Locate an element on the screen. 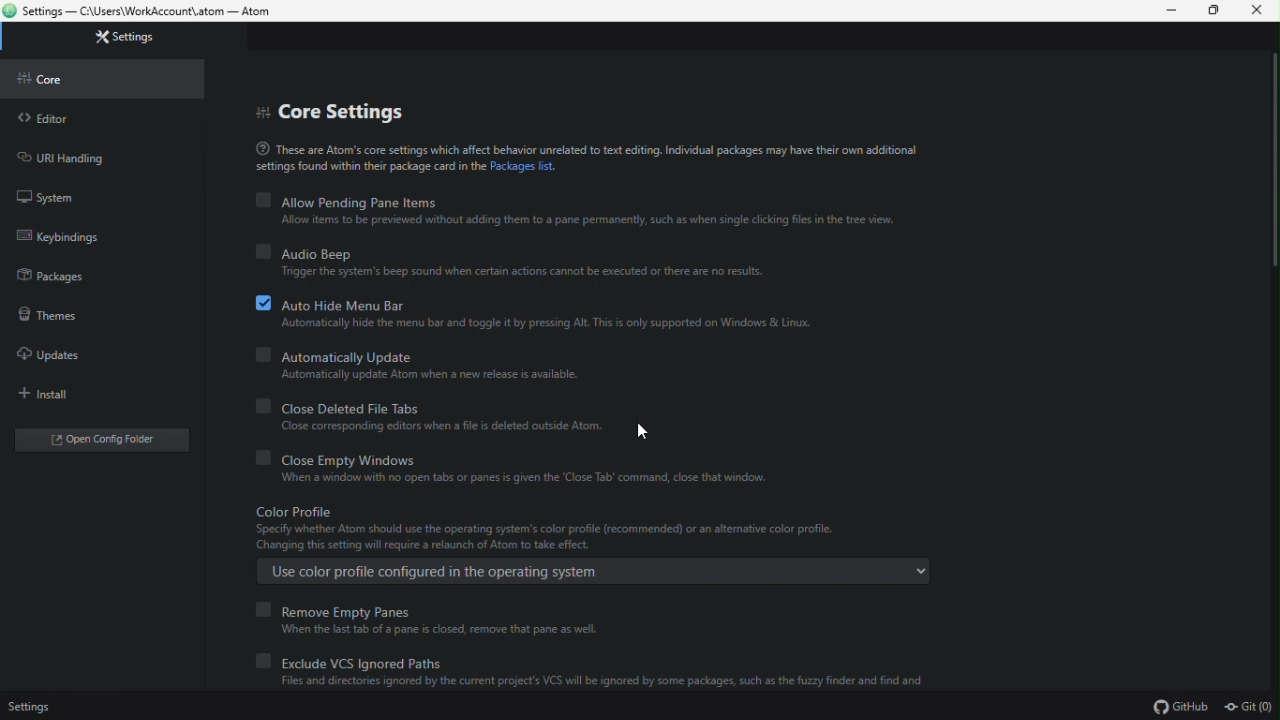 This screenshot has width=1280, height=720. When the last tab of a pane is closed, remove that pane as well. is located at coordinates (445, 630).